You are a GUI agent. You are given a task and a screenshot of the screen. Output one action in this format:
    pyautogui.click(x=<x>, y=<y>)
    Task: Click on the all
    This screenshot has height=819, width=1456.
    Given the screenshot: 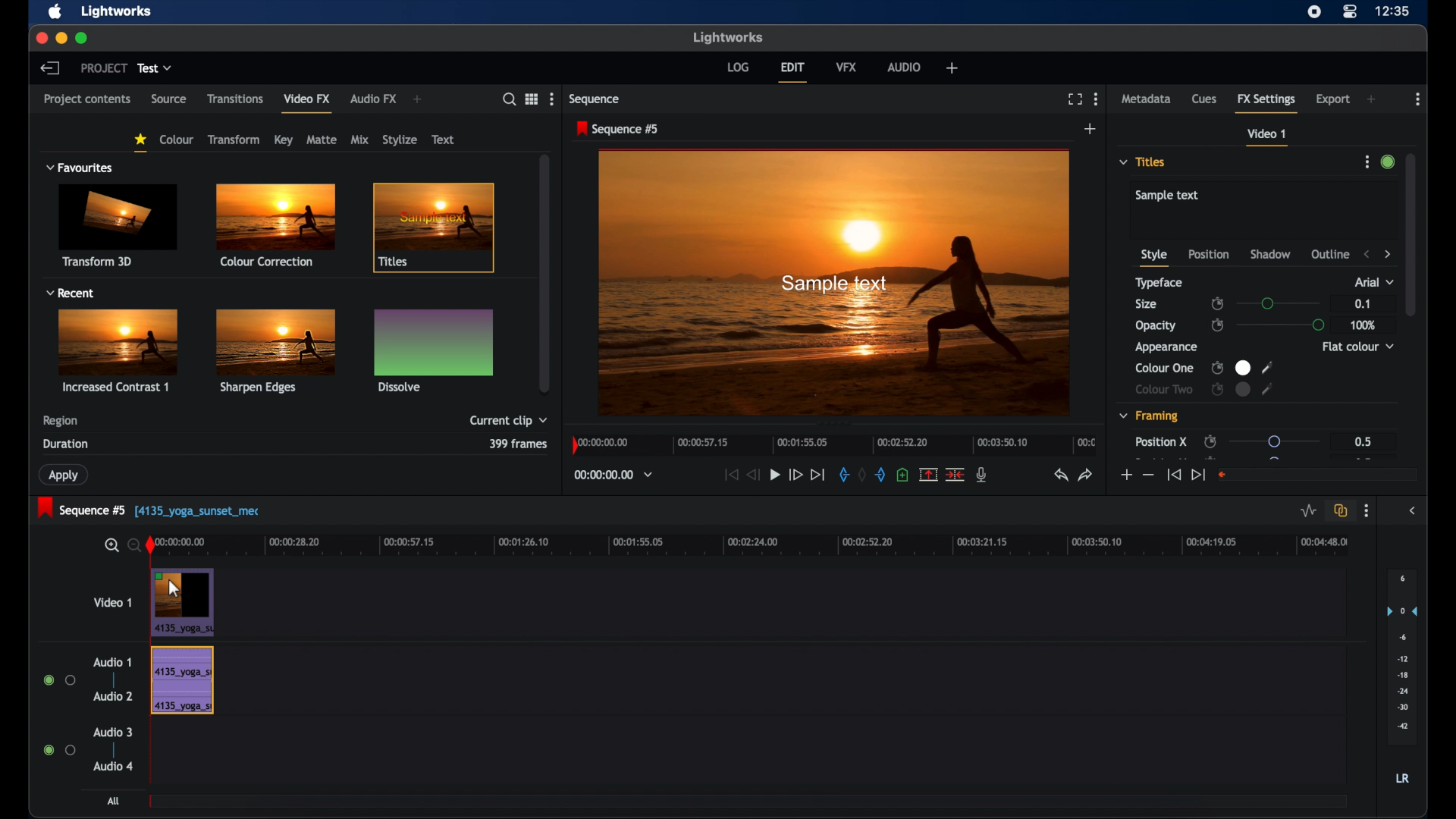 What is the action you would take?
    pyautogui.click(x=115, y=802)
    